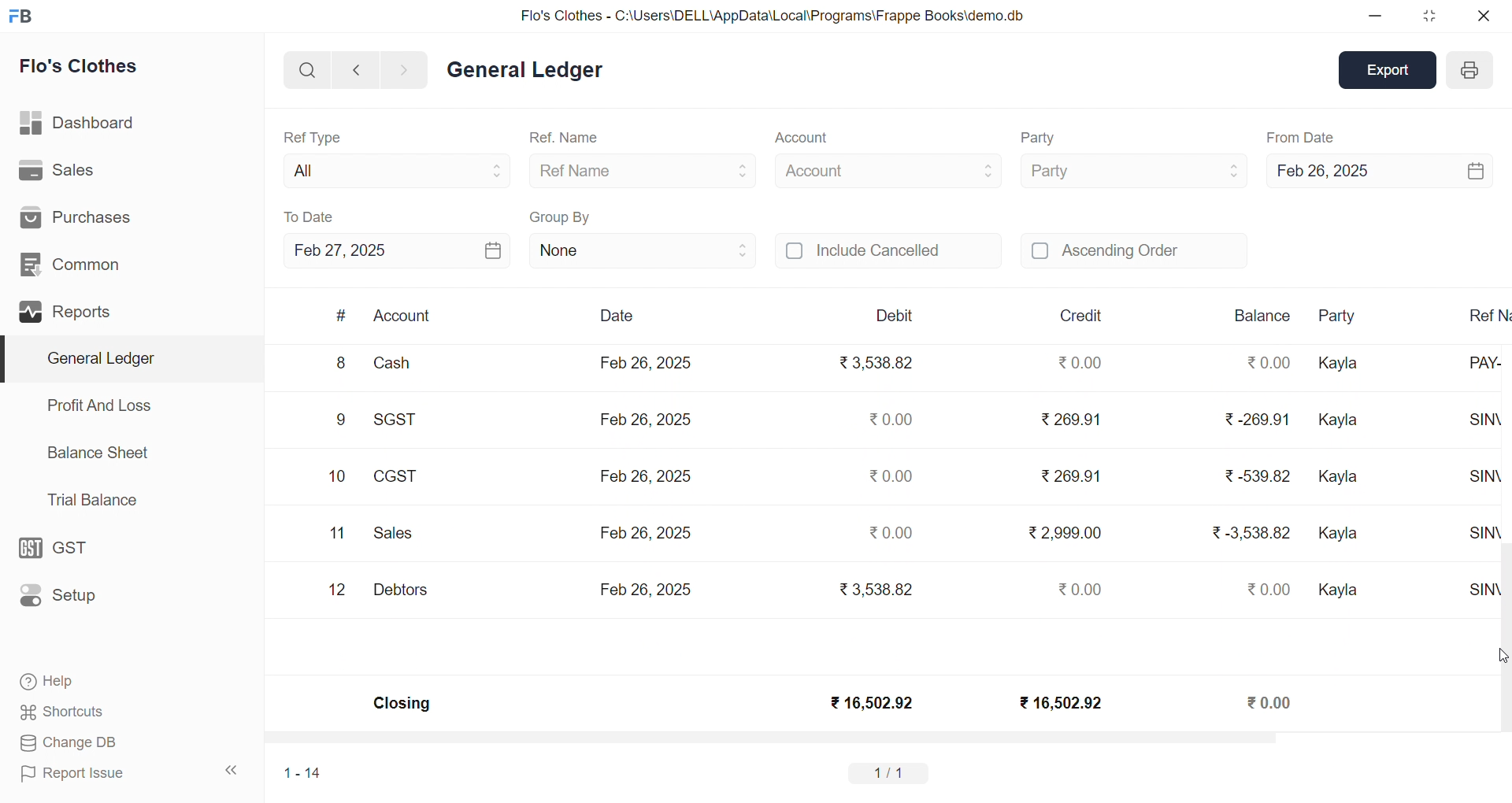 The image size is (1512, 803). I want to click on NAVIGATE BACKWARD, so click(355, 68).